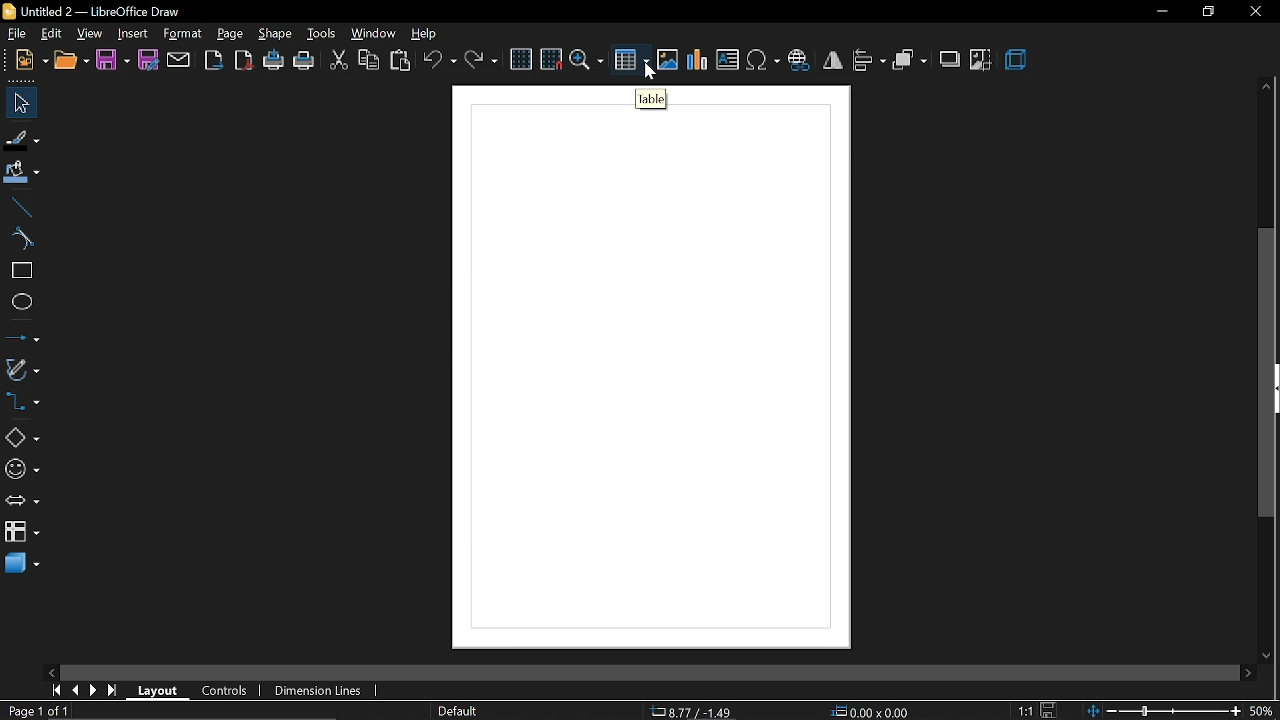 The image size is (1280, 720). Describe the element at coordinates (870, 61) in the screenshot. I see `align` at that location.